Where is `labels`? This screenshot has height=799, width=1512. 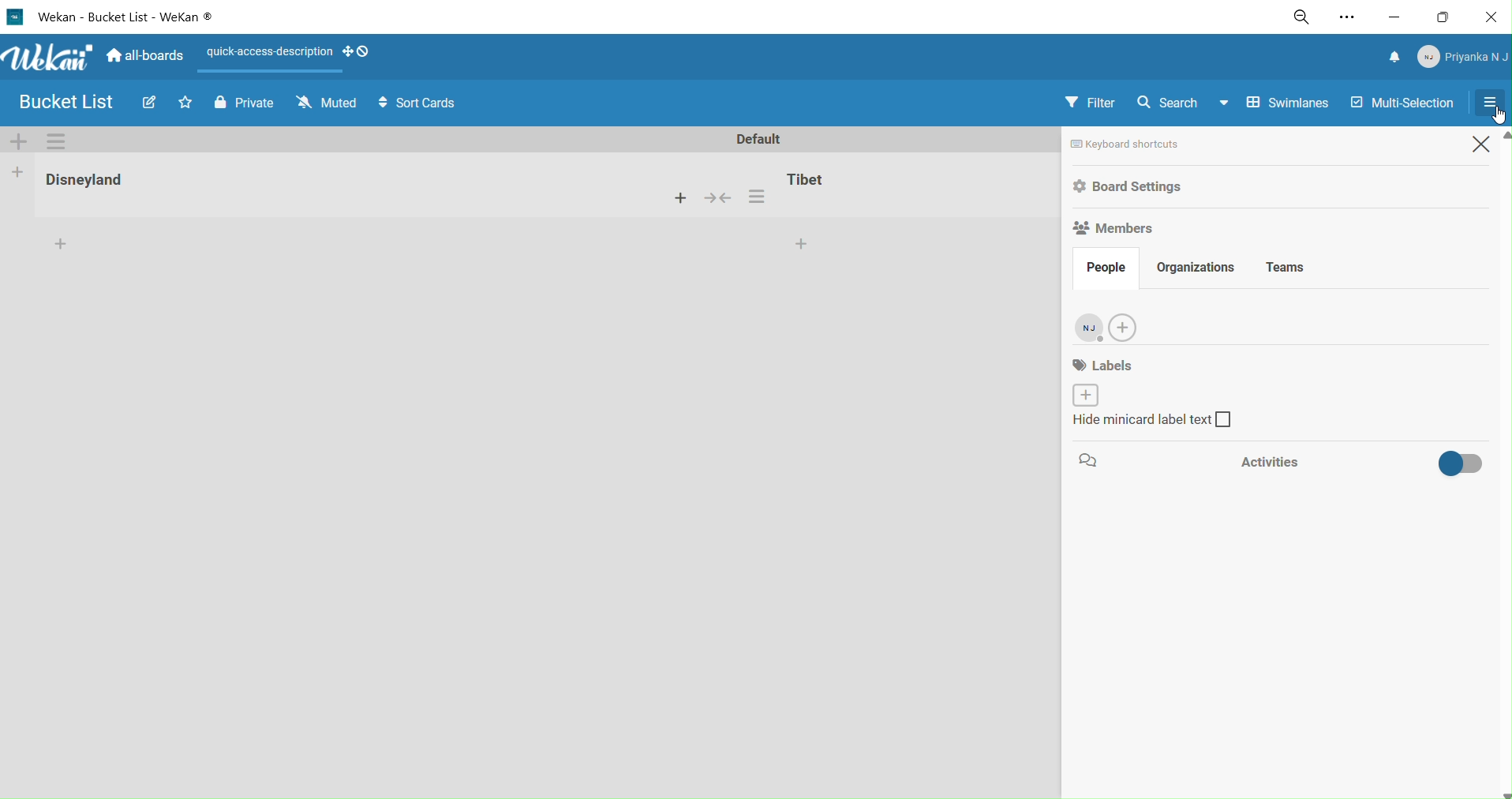 labels is located at coordinates (1110, 364).